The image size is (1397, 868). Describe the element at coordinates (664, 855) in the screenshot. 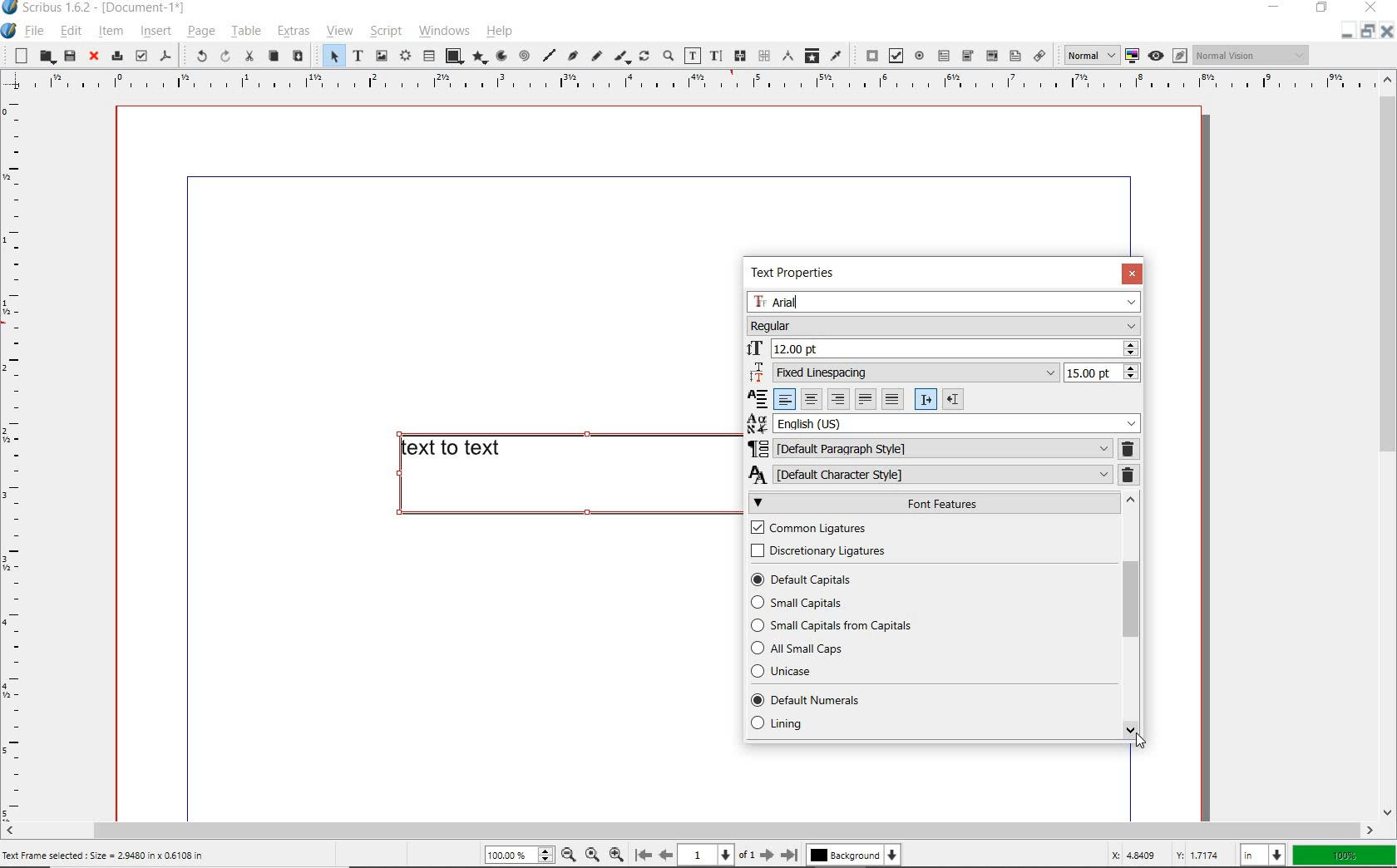

I see `Previous page` at that location.